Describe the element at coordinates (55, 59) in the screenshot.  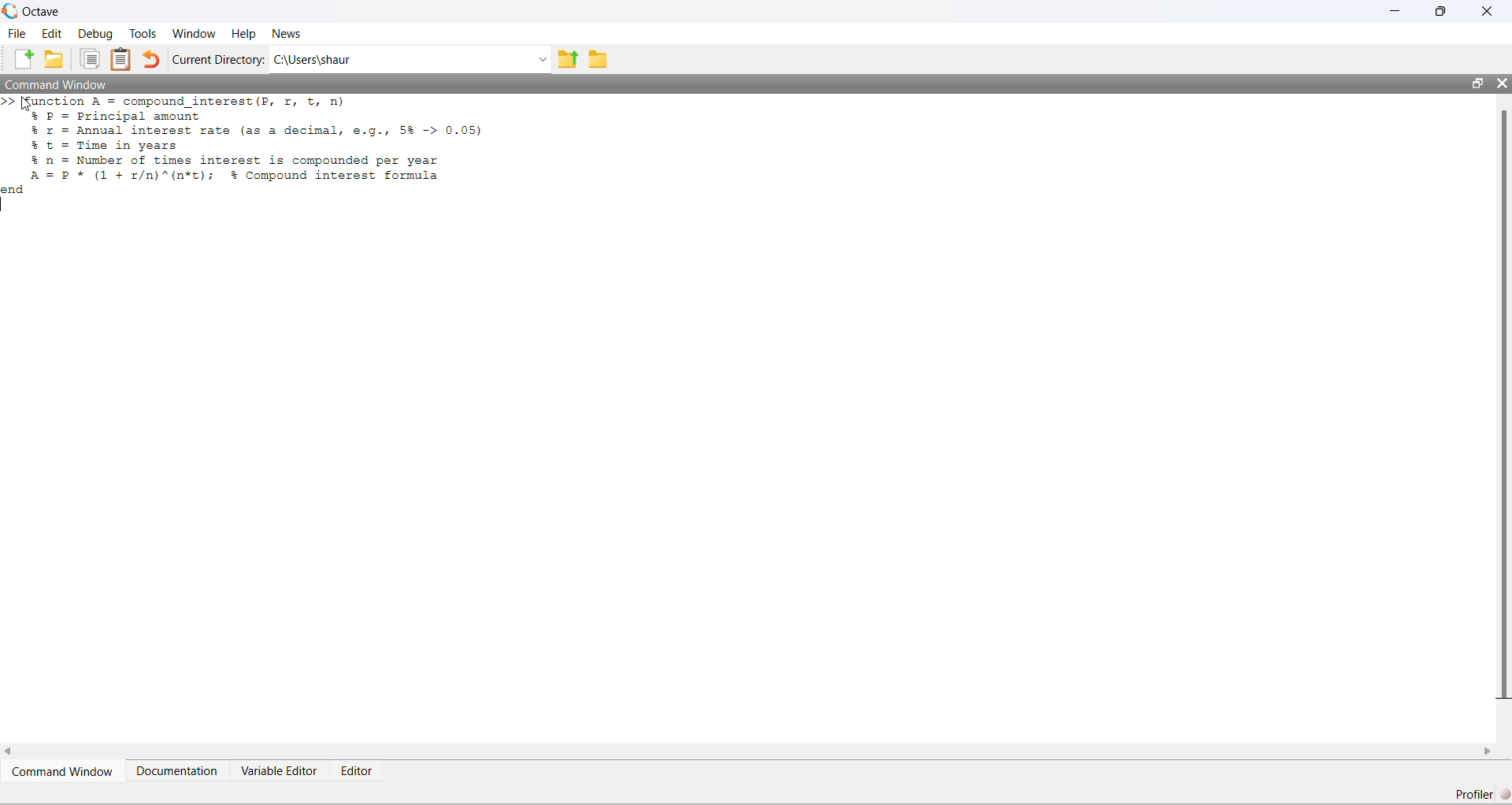
I see `New Folder` at that location.